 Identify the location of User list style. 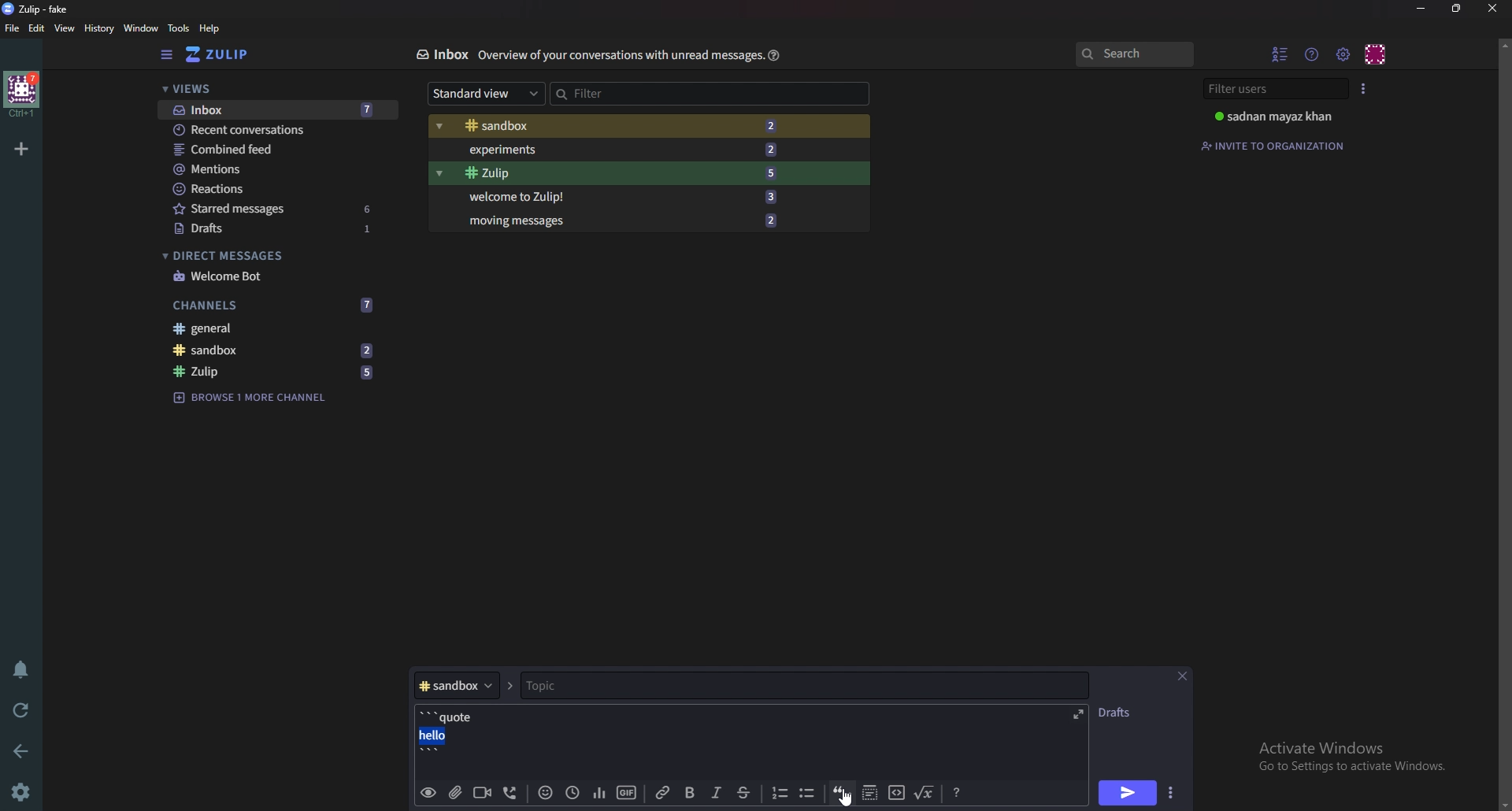
(1365, 88).